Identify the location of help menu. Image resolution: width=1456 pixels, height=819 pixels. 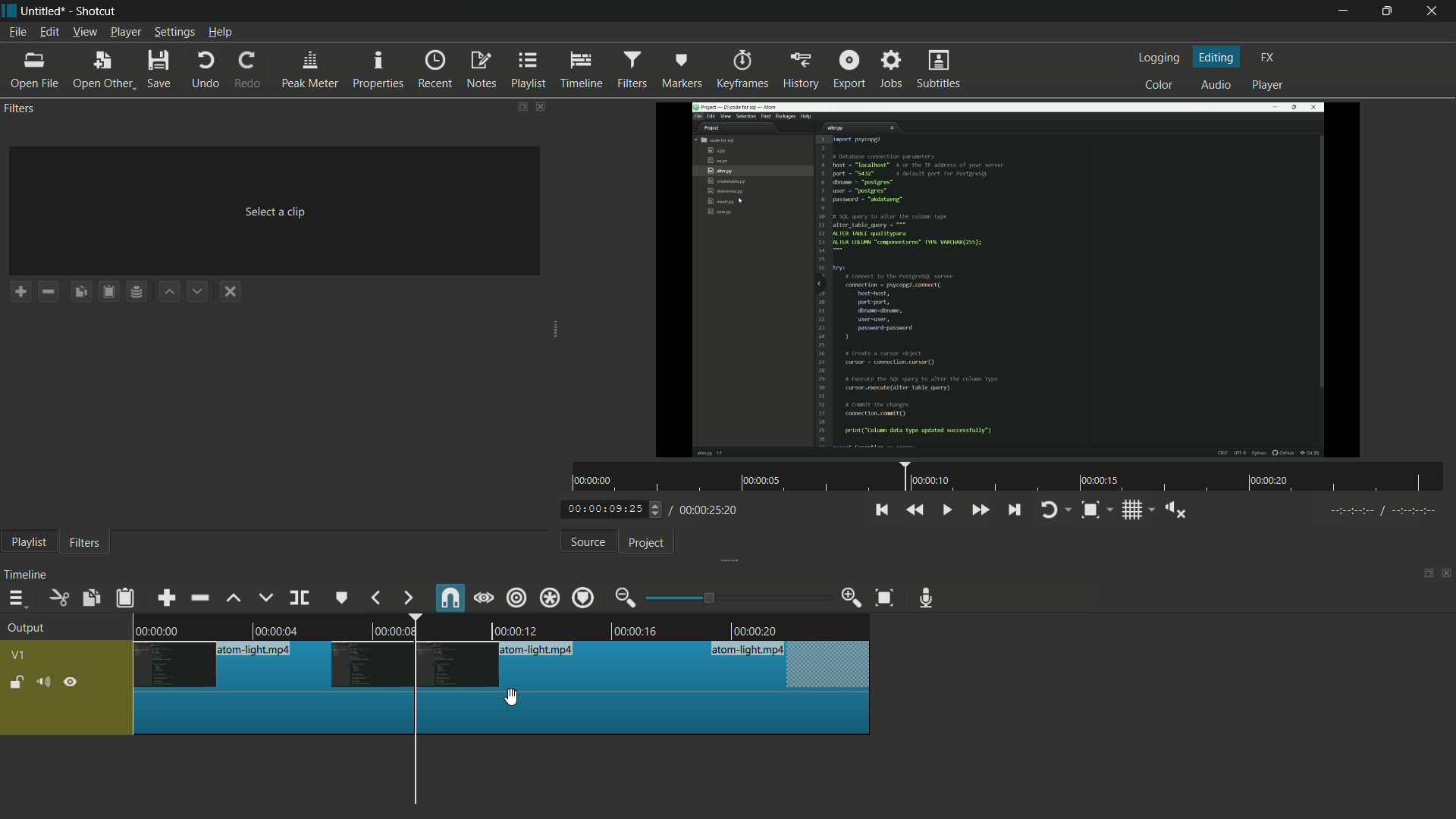
(220, 33).